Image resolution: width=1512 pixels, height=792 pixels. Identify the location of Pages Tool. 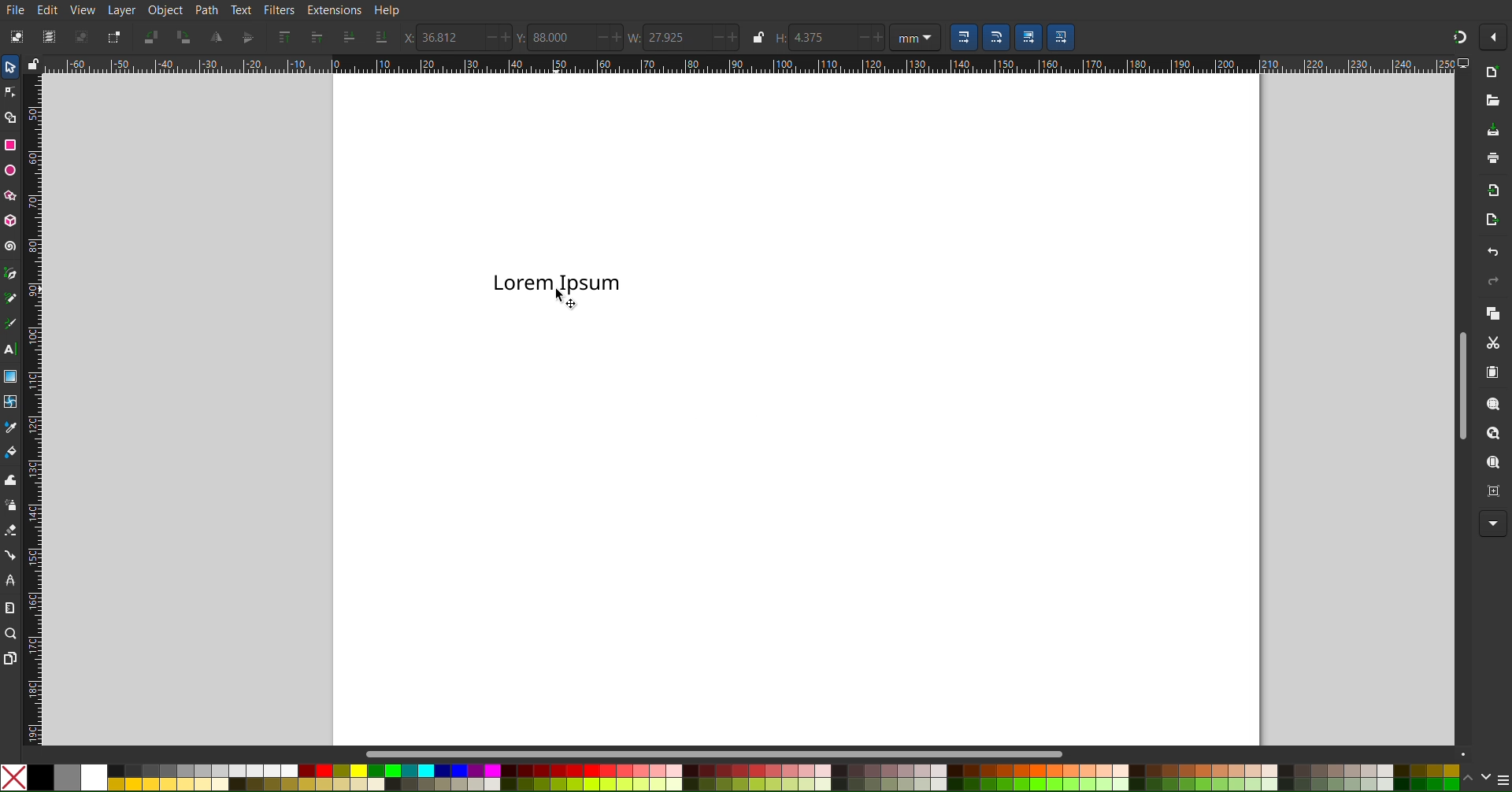
(10, 658).